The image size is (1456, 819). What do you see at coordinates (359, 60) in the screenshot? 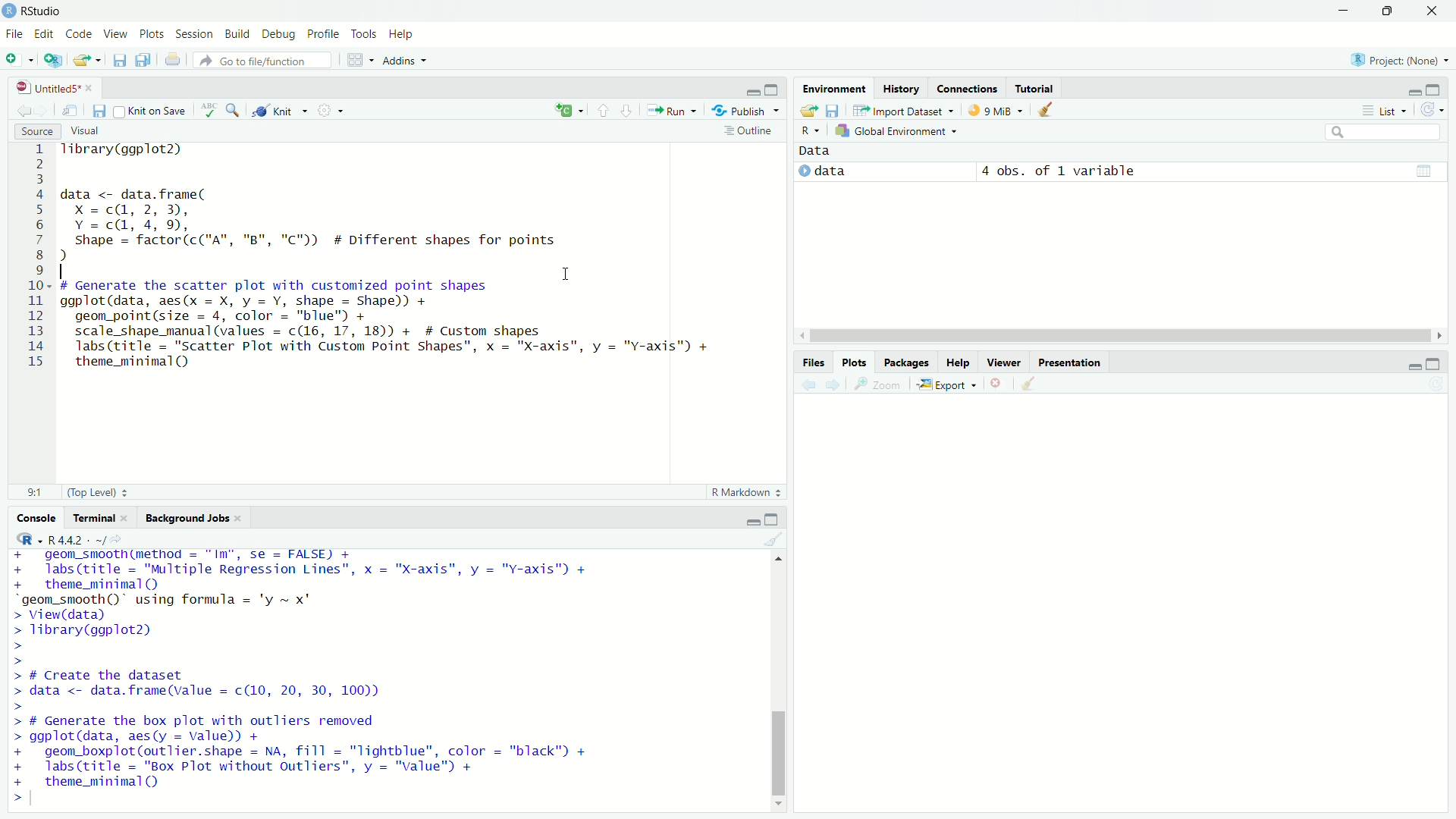
I see `Workspace panes` at bounding box center [359, 60].